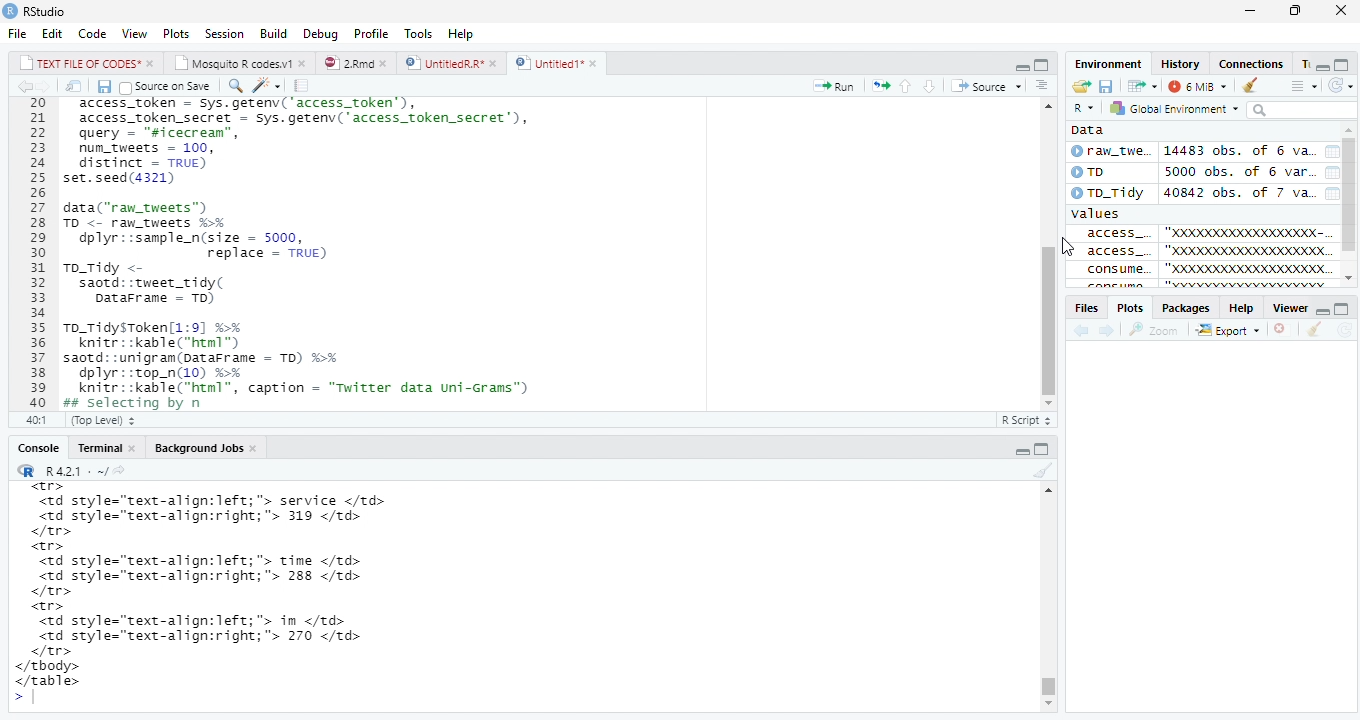  What do you see at coordinates (318, 34) in the screenshot?
I see `Debug` at bounding box center [318, 34].